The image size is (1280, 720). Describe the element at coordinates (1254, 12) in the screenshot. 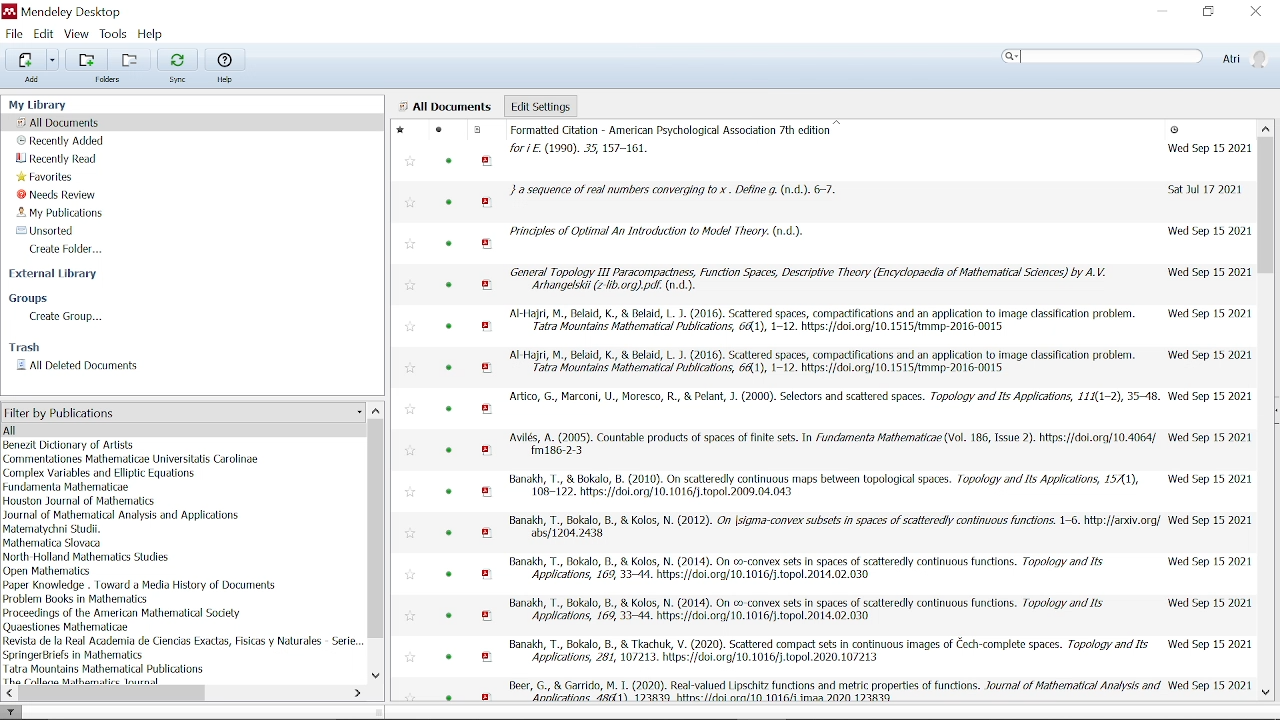

I see `Close window` at that location.